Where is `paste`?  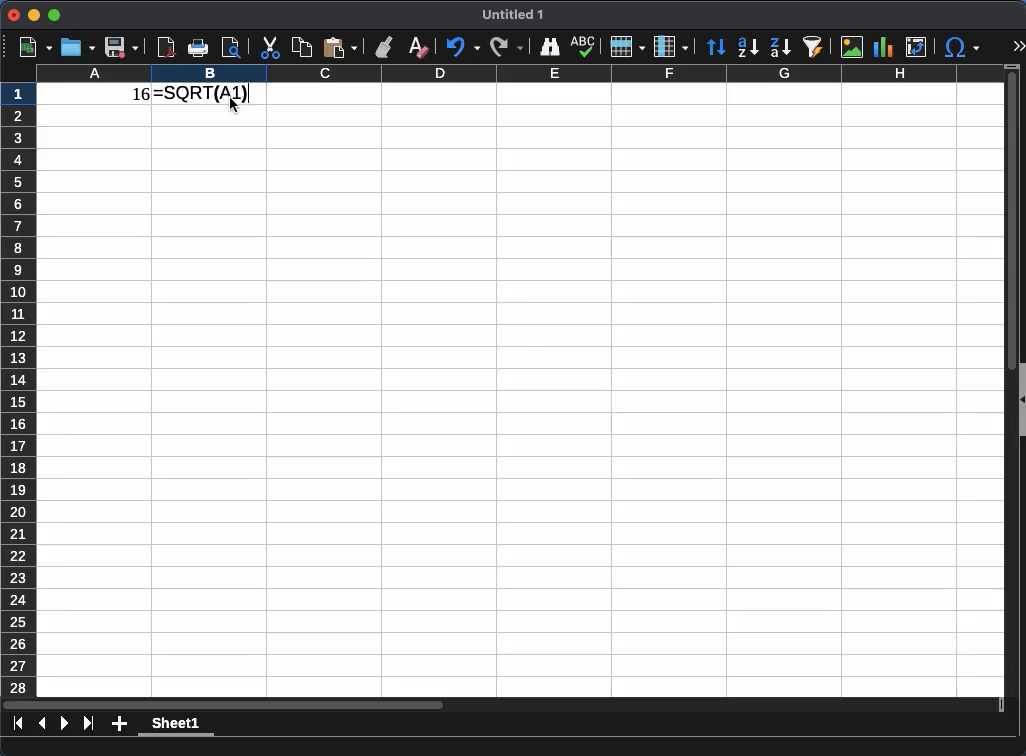 paste is located at coordinates (340, 48).